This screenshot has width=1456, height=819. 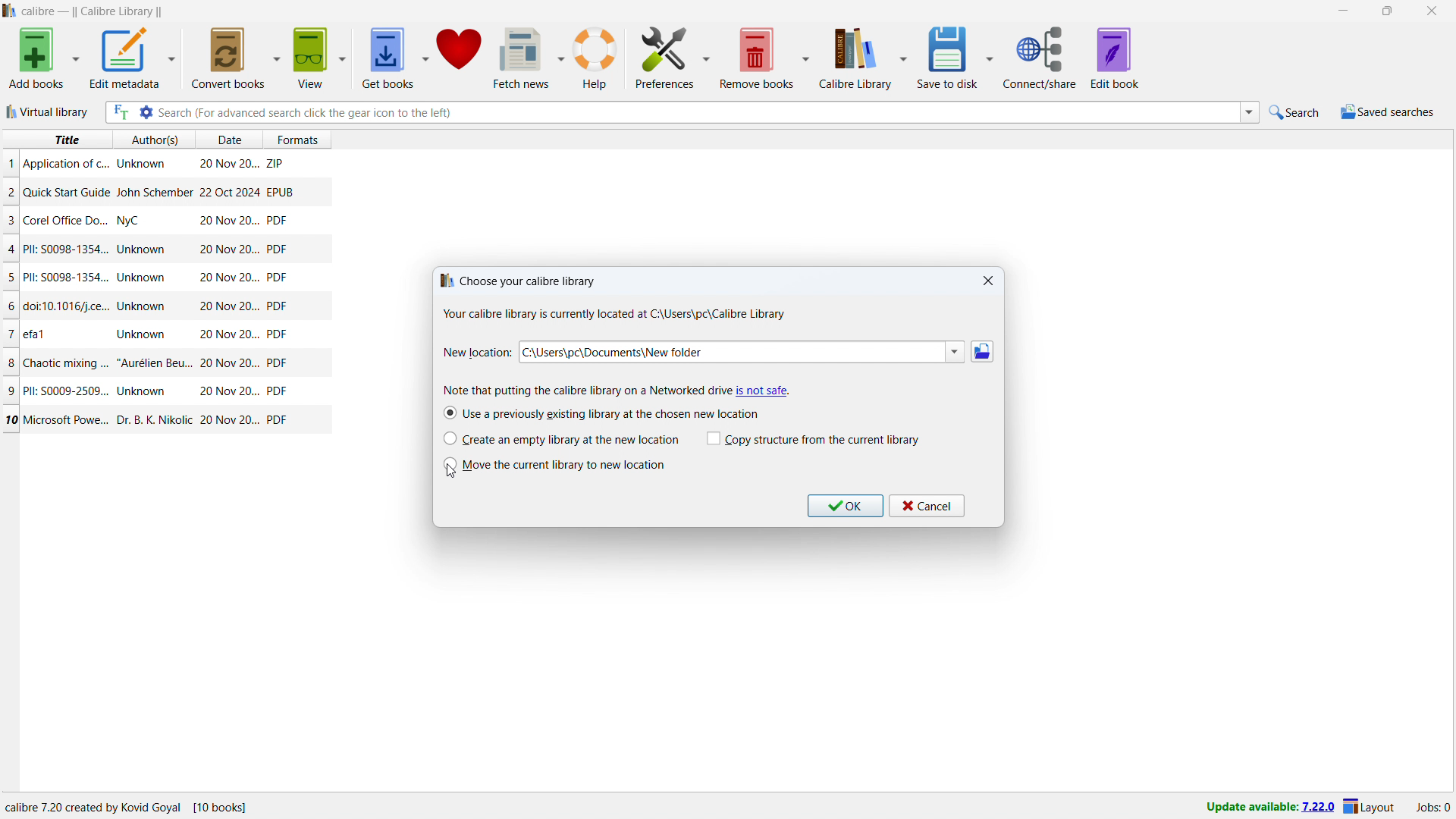 I want to click on Author, so click(x=144, y=278).